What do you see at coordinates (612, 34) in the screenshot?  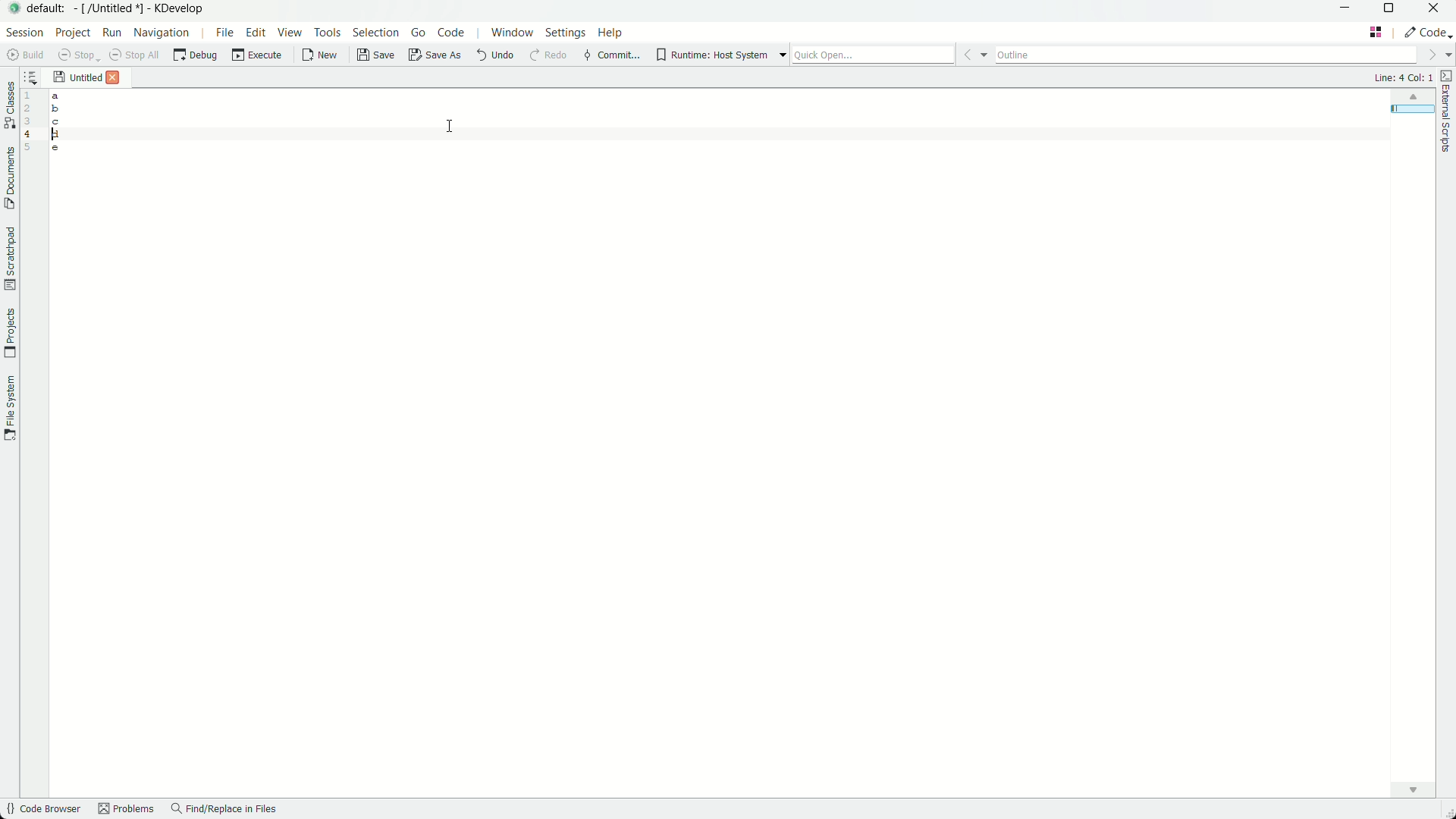 I see `help` at bounding box center [612, 34].